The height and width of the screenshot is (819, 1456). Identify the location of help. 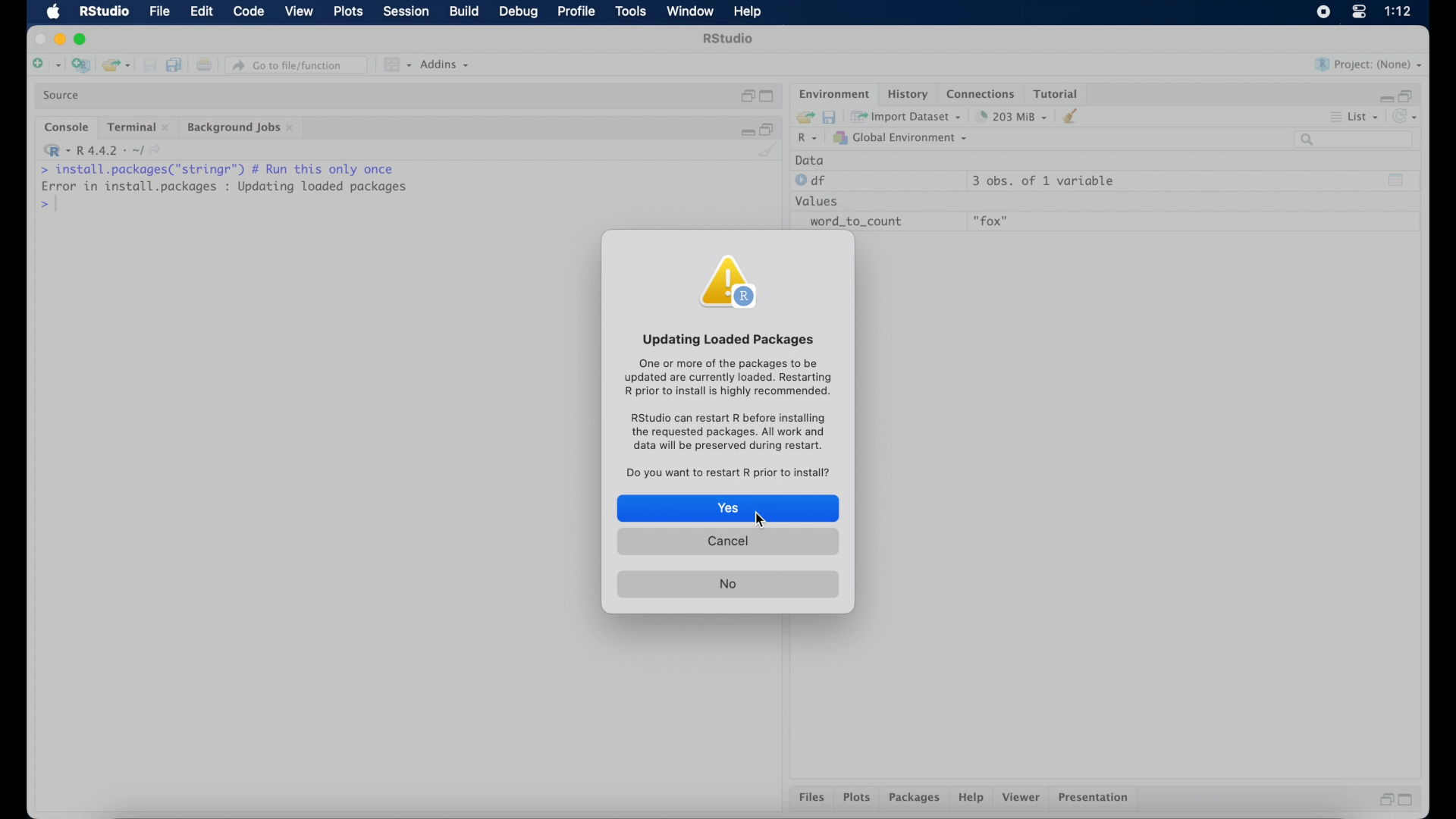
(973, 799).